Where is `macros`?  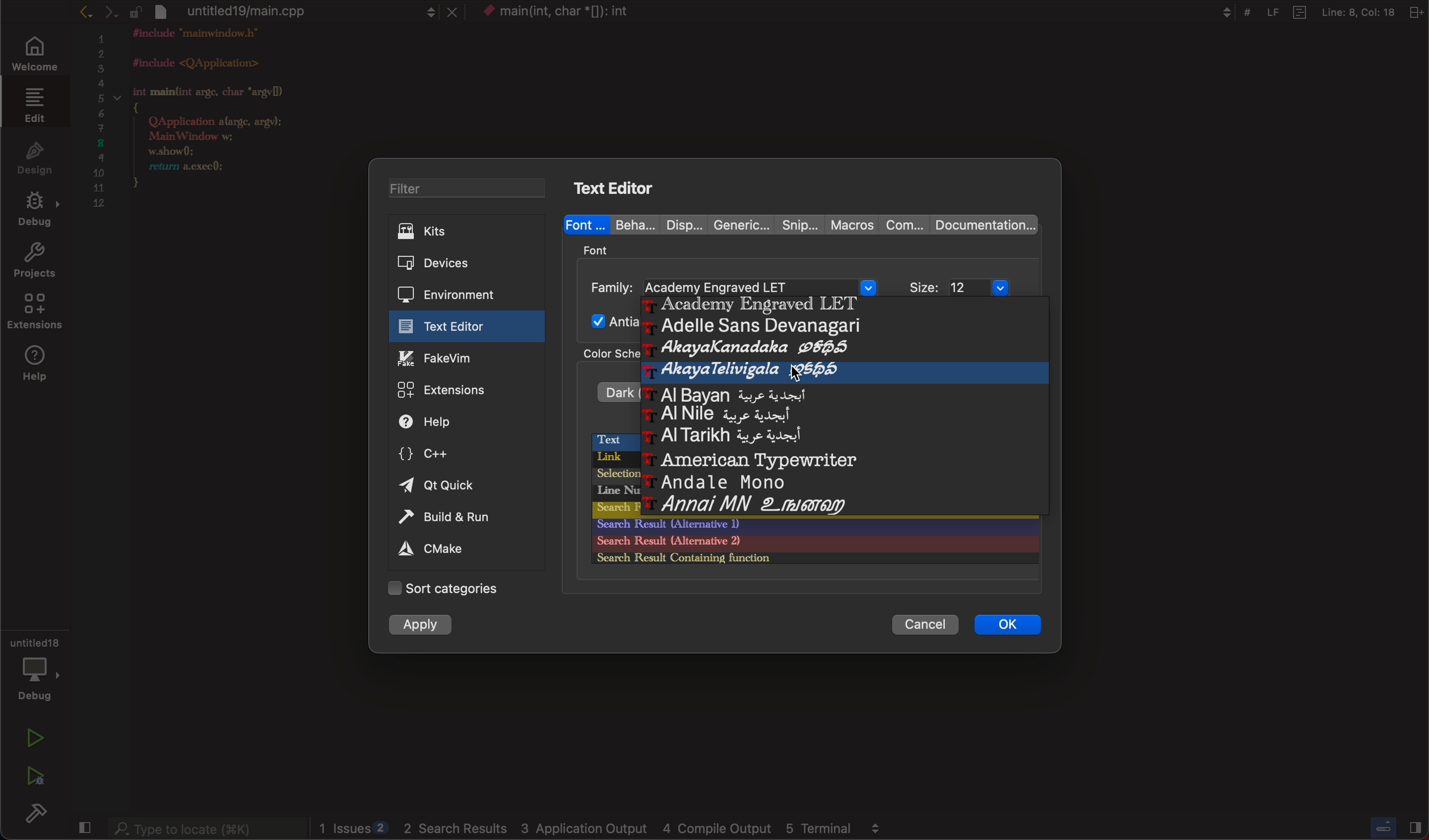 macros is located at coordinates (851, 224).